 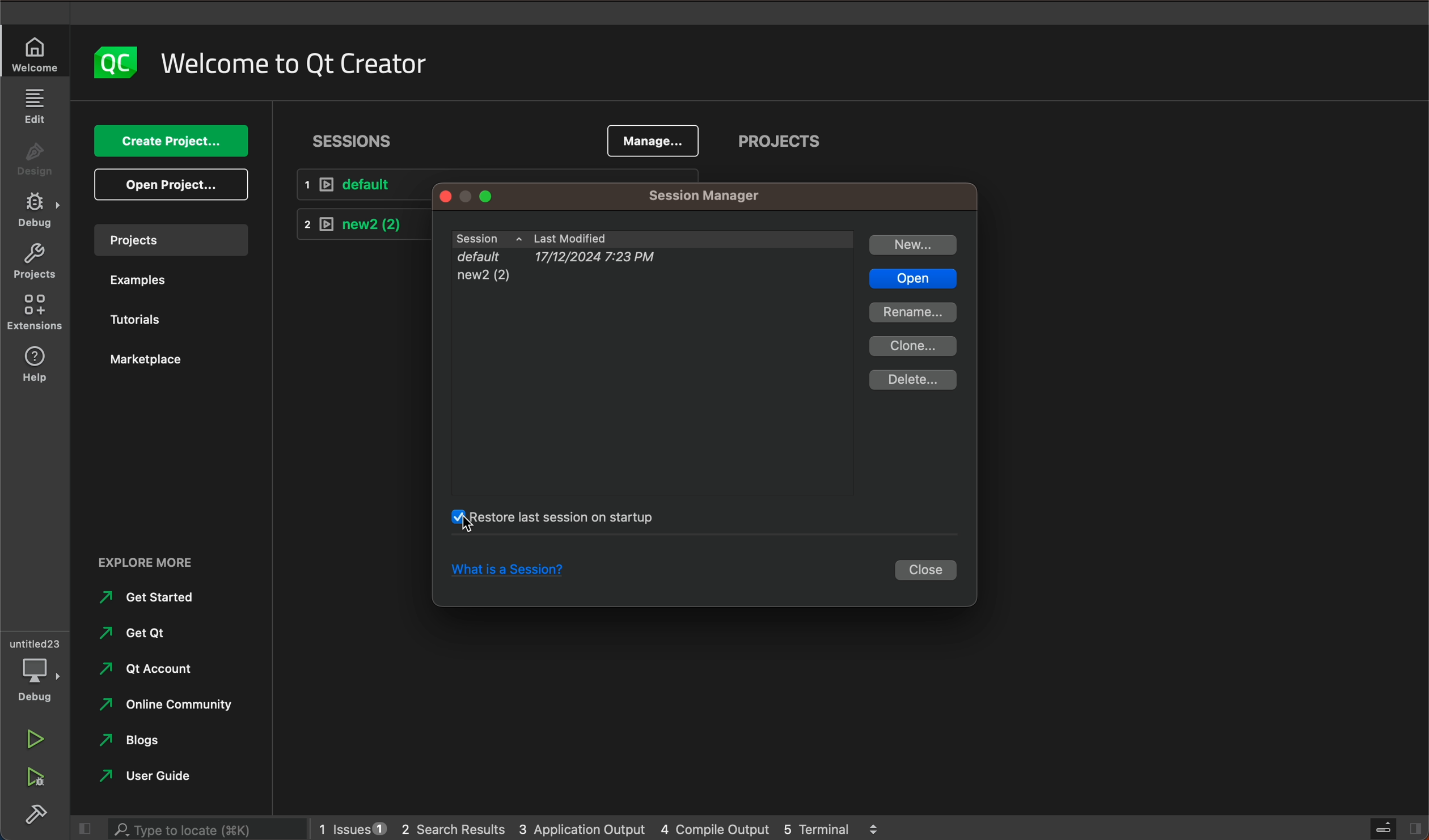 I want to click on close slide bar, so click(x=1390, y=828).